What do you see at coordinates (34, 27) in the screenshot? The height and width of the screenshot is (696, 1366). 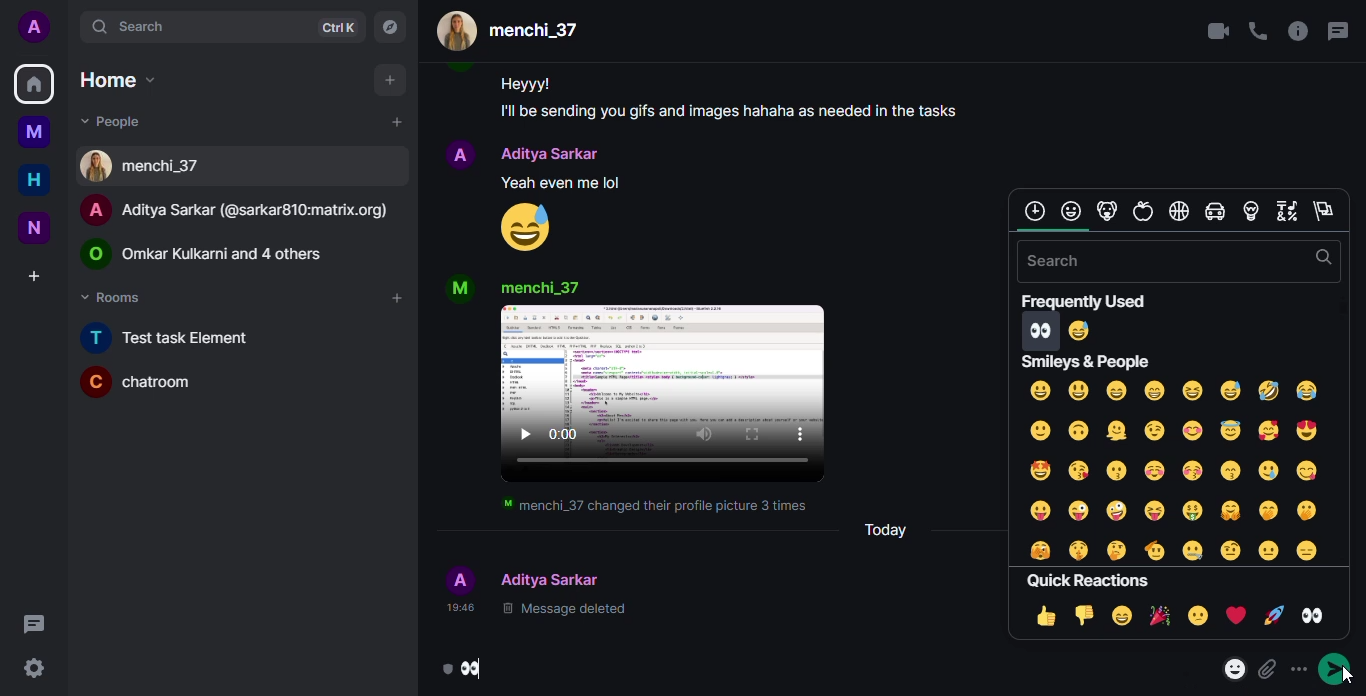 I see `profile` at bounding box center [34, 27].